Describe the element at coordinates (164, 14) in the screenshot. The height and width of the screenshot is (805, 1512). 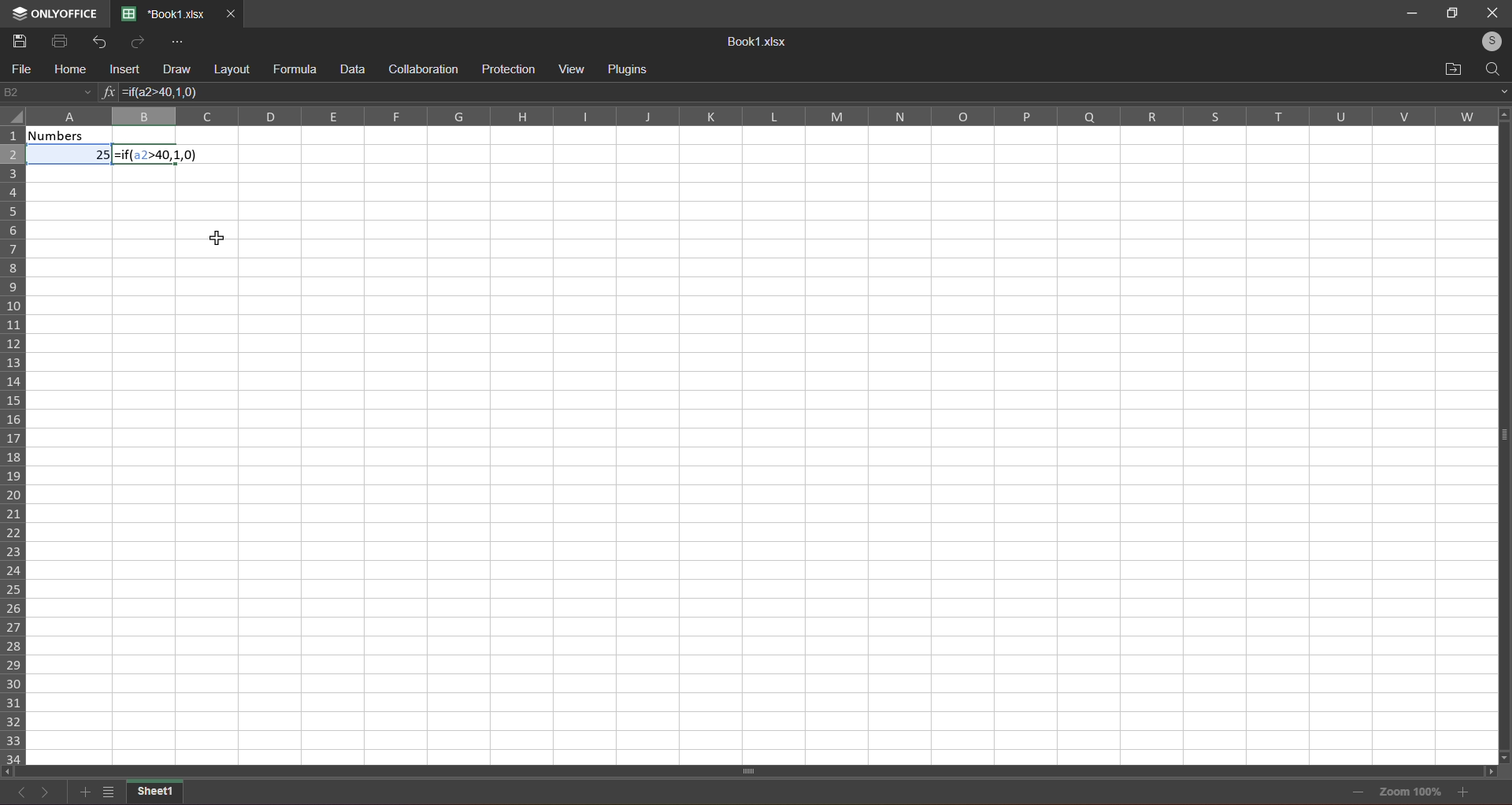
I see `current tab` at that location.